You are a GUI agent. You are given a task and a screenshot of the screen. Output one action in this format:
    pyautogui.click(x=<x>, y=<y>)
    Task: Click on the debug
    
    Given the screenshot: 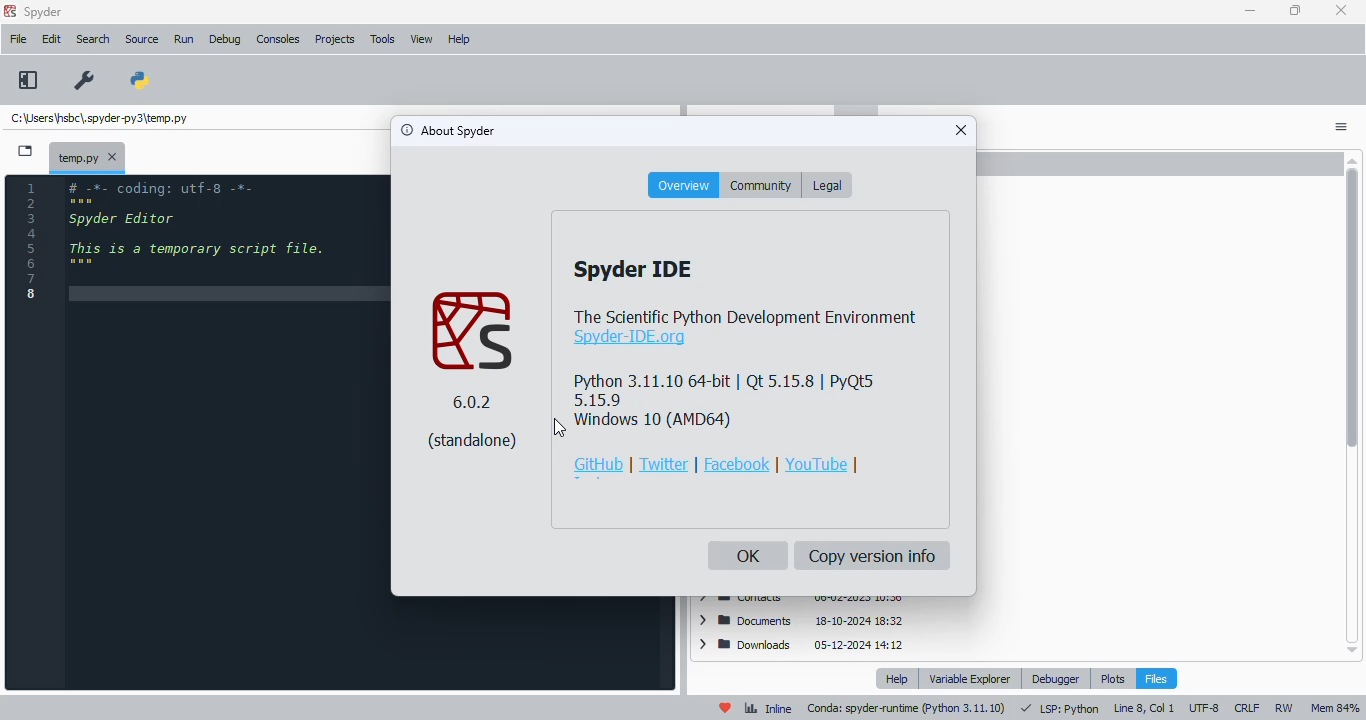 What is the action you would take?
    pyautogui.click(x=225, y=39)
    